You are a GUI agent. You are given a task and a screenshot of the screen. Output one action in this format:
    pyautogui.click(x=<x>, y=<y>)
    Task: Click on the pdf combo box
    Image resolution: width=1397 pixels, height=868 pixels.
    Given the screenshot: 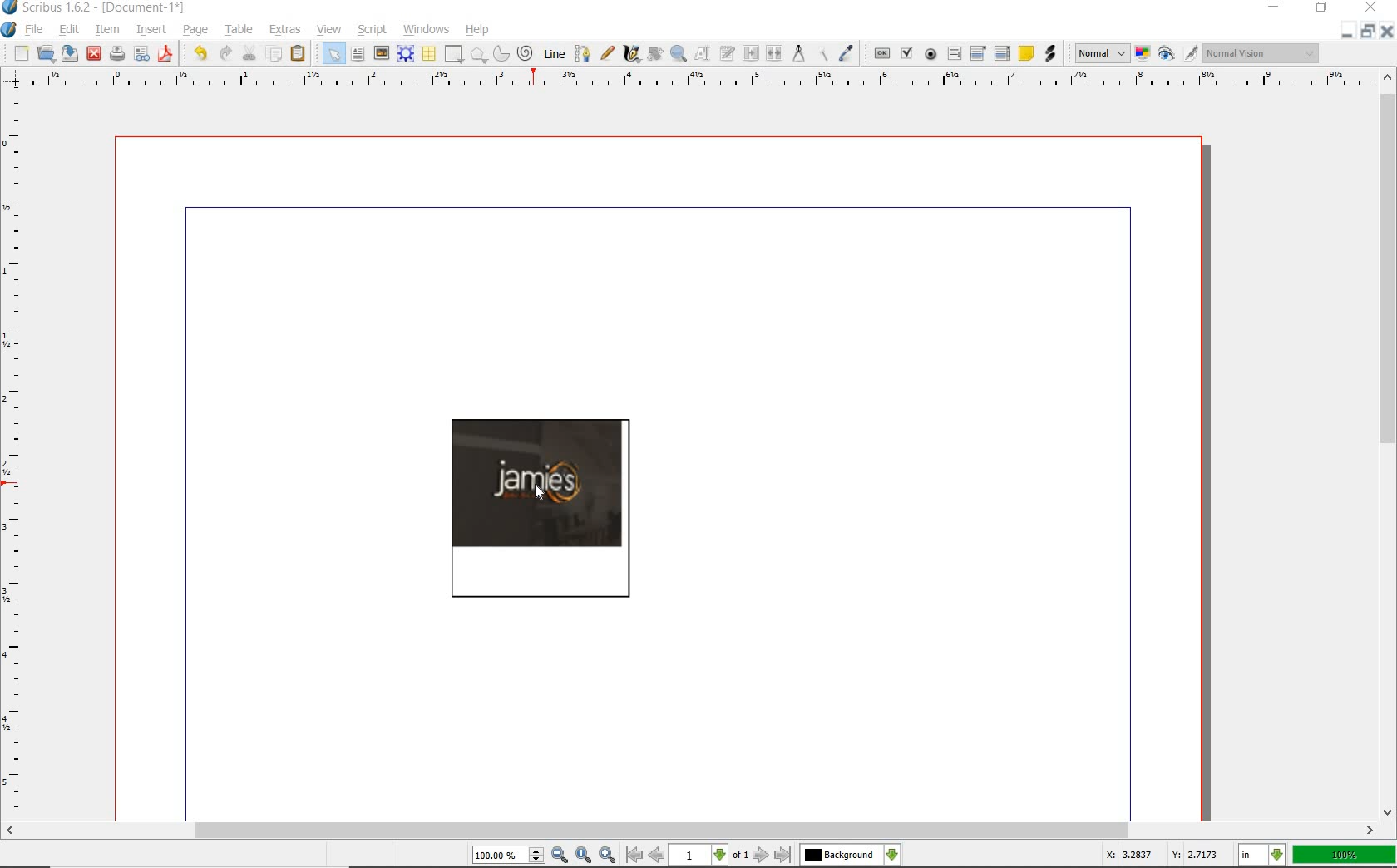 What is the action you would take?
    pyautogui.click(x=975, y=53)
    